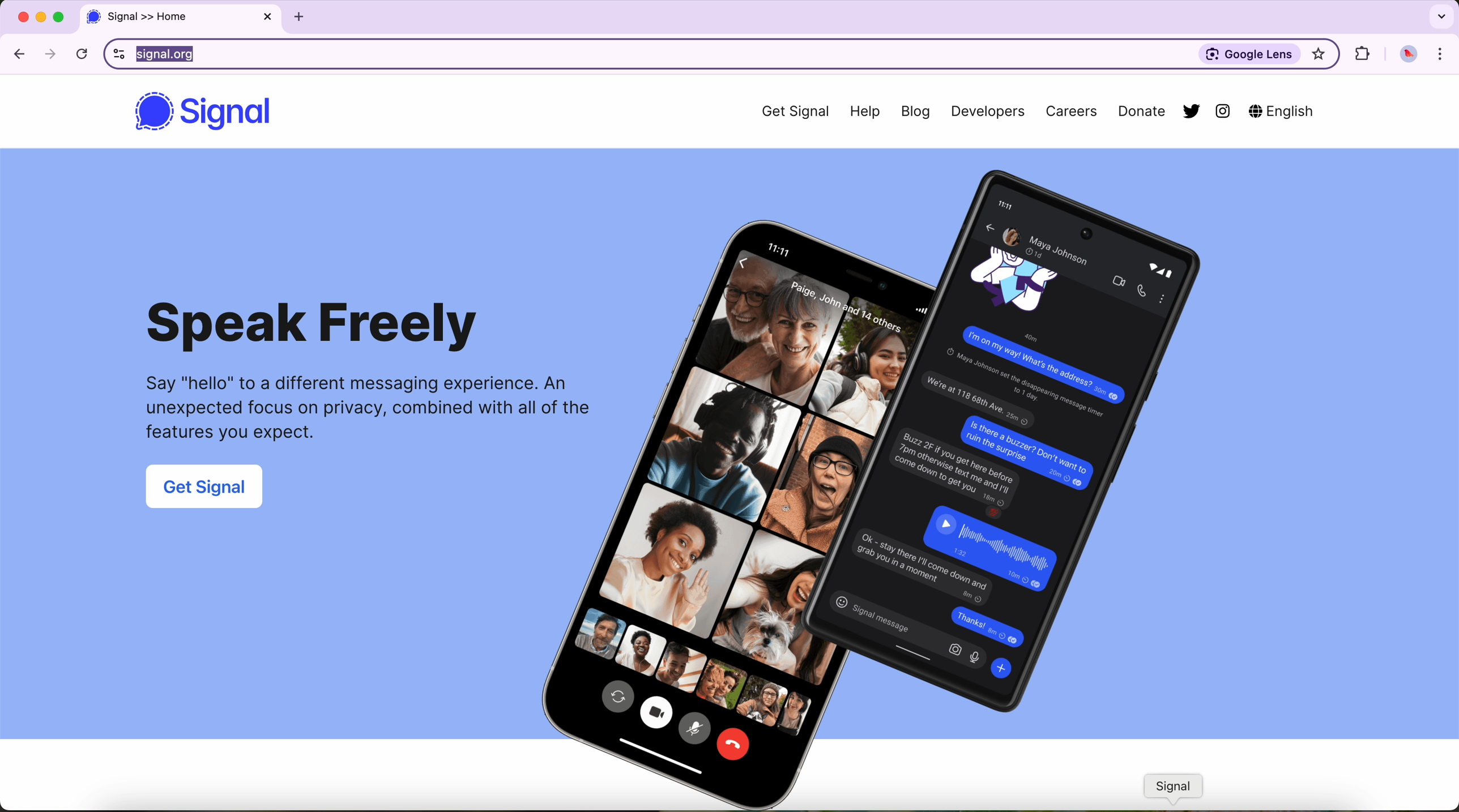 The image size is (1459, 812). What do you see at coordinates (39, 18) in the screenshot?
I see `screen buttons` at bounding box center [39, 18].